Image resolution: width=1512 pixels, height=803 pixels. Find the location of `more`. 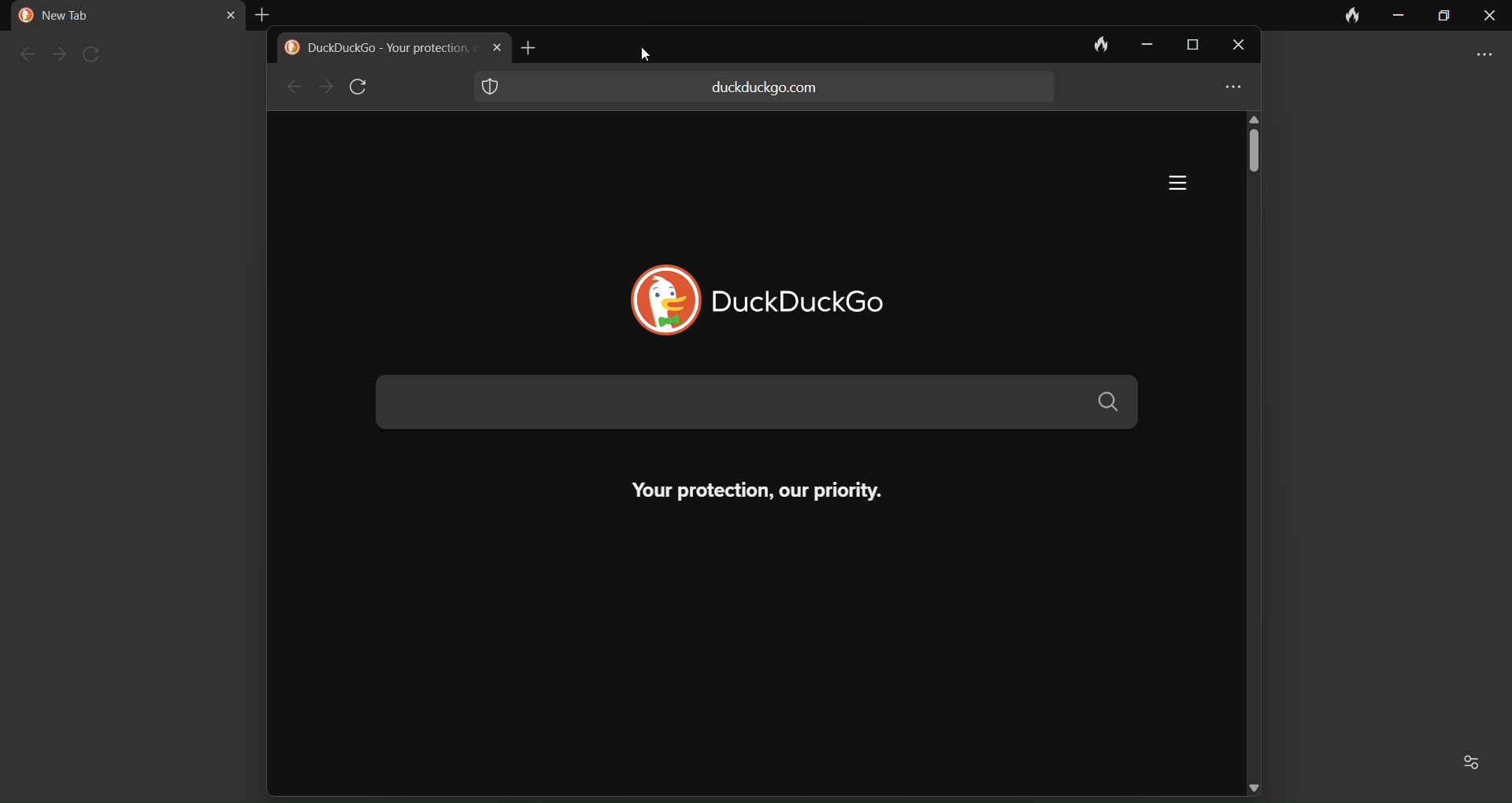

more is located at coordinates (1477, 56).